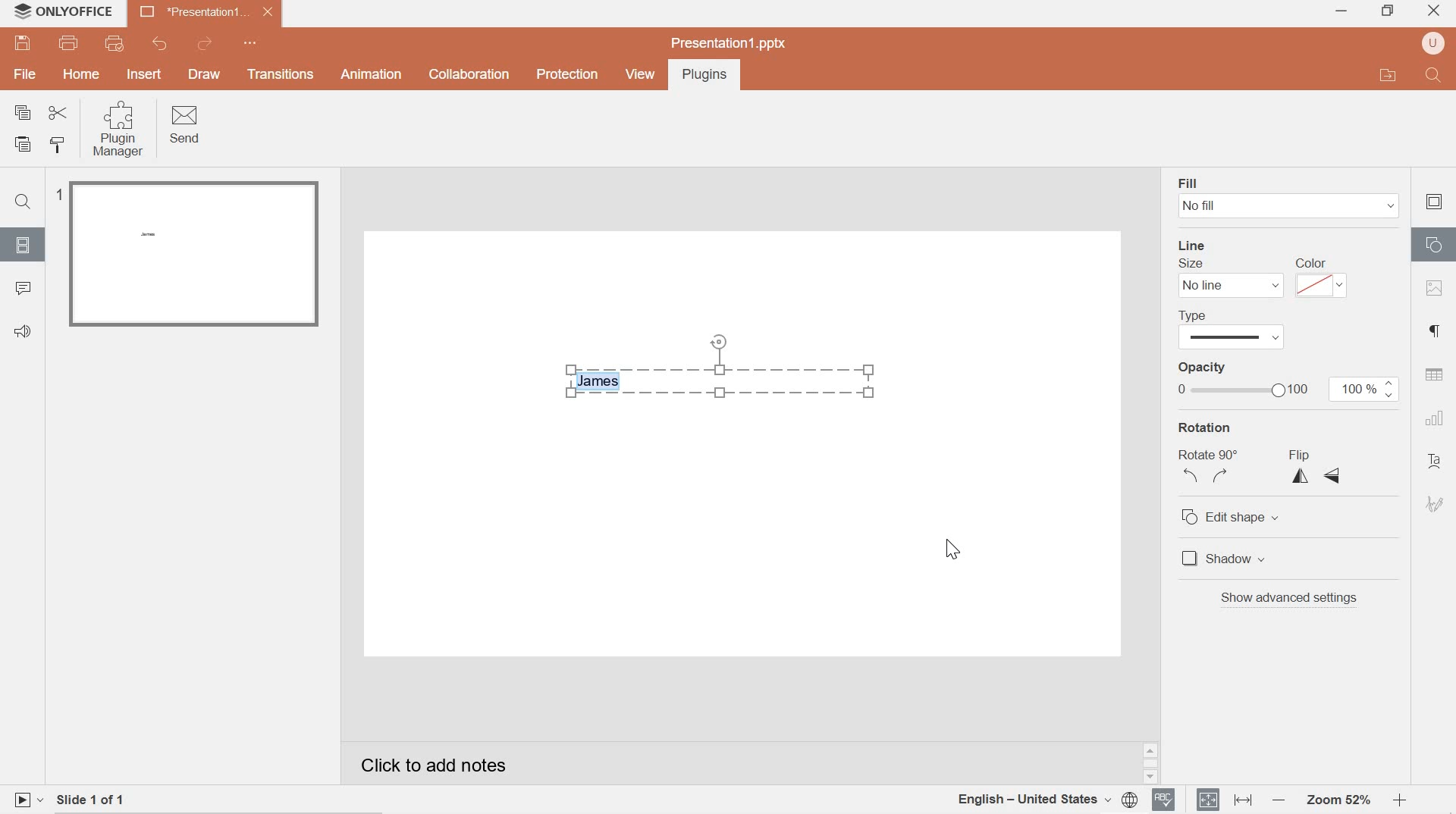 This screenshot has height=814, width=1456. I want to click on Send, so click(187, 126).